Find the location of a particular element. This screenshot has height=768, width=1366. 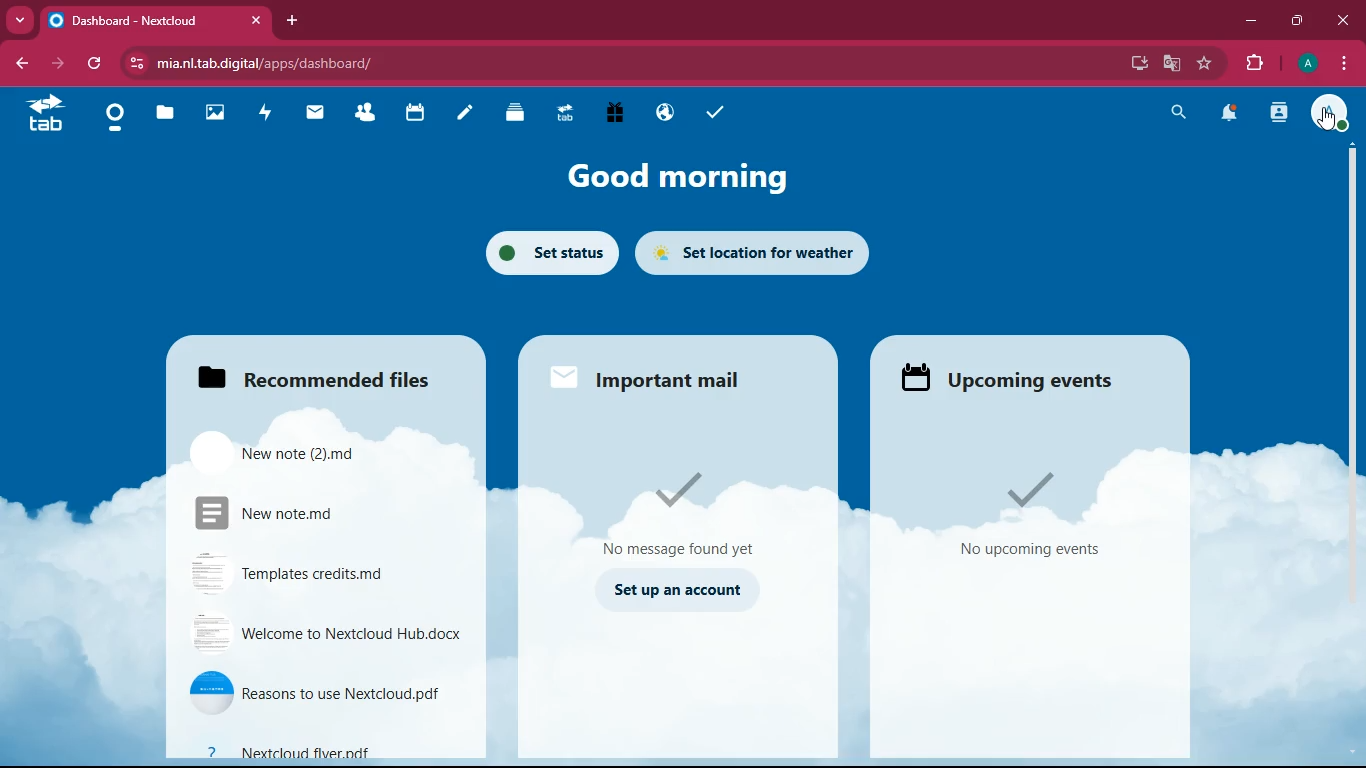

maximize is located at coordinates (1299, 21).